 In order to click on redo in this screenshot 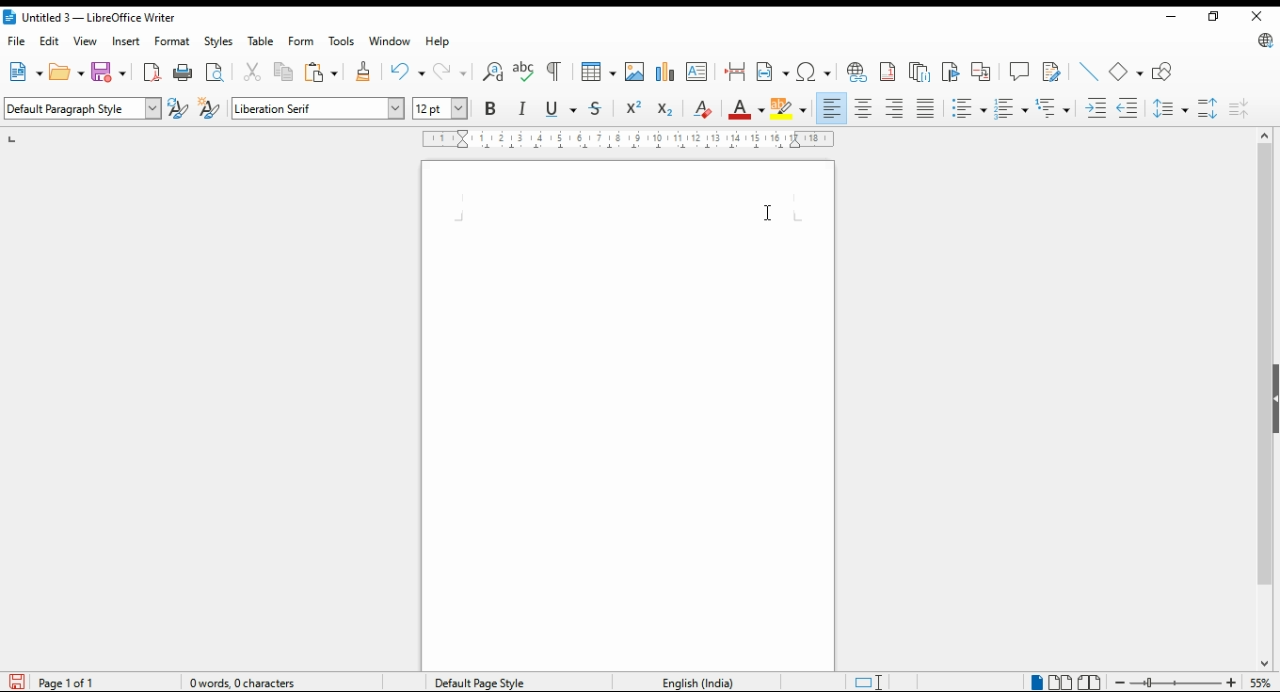, I will do `click(452, 71)`.